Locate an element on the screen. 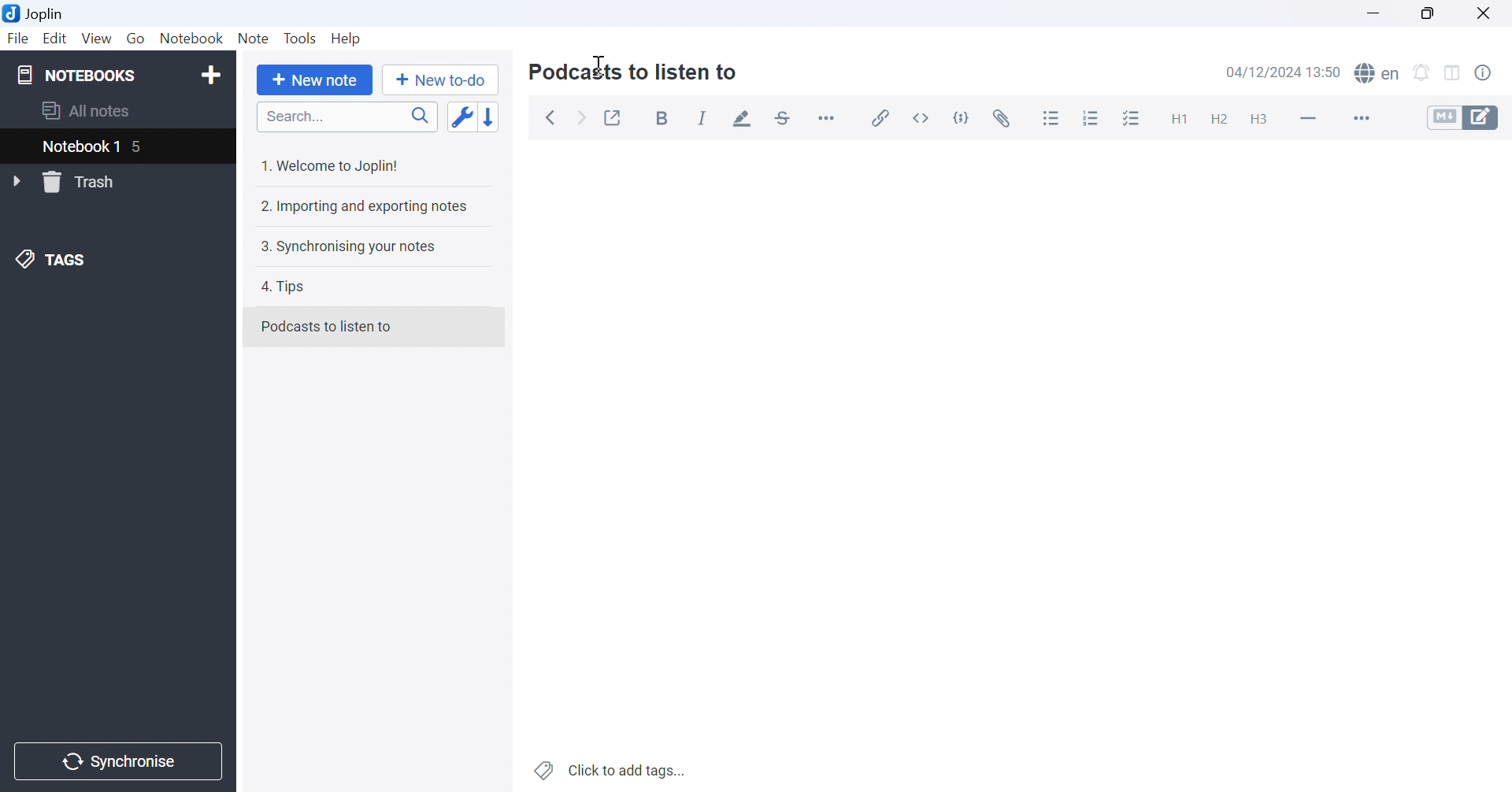 Image resolution: width=1512 pixels, height=792 pixels. Trash is located at coordinates (88, 182).